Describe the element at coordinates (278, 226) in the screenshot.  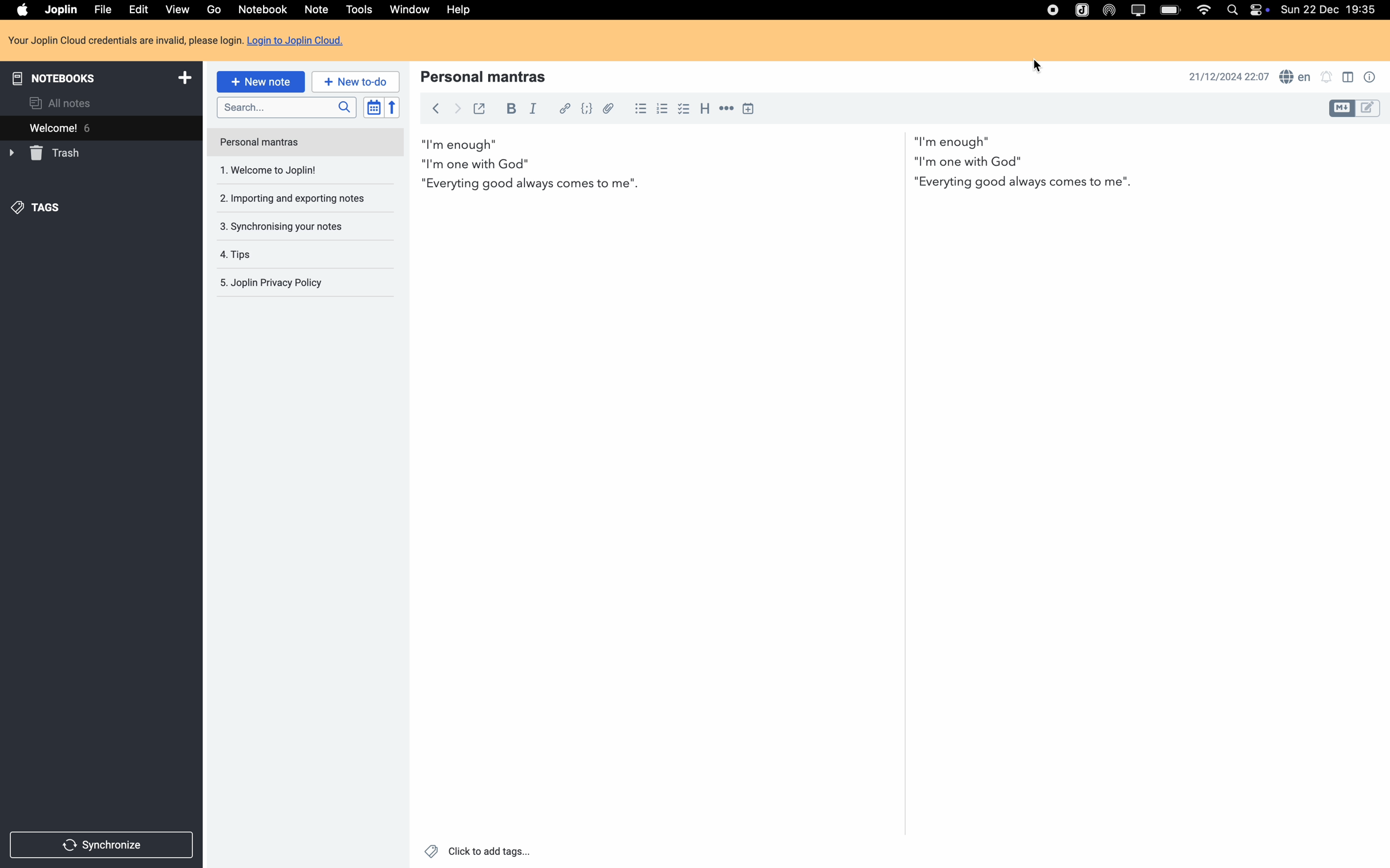
I see `synchronising your notes` at that location.